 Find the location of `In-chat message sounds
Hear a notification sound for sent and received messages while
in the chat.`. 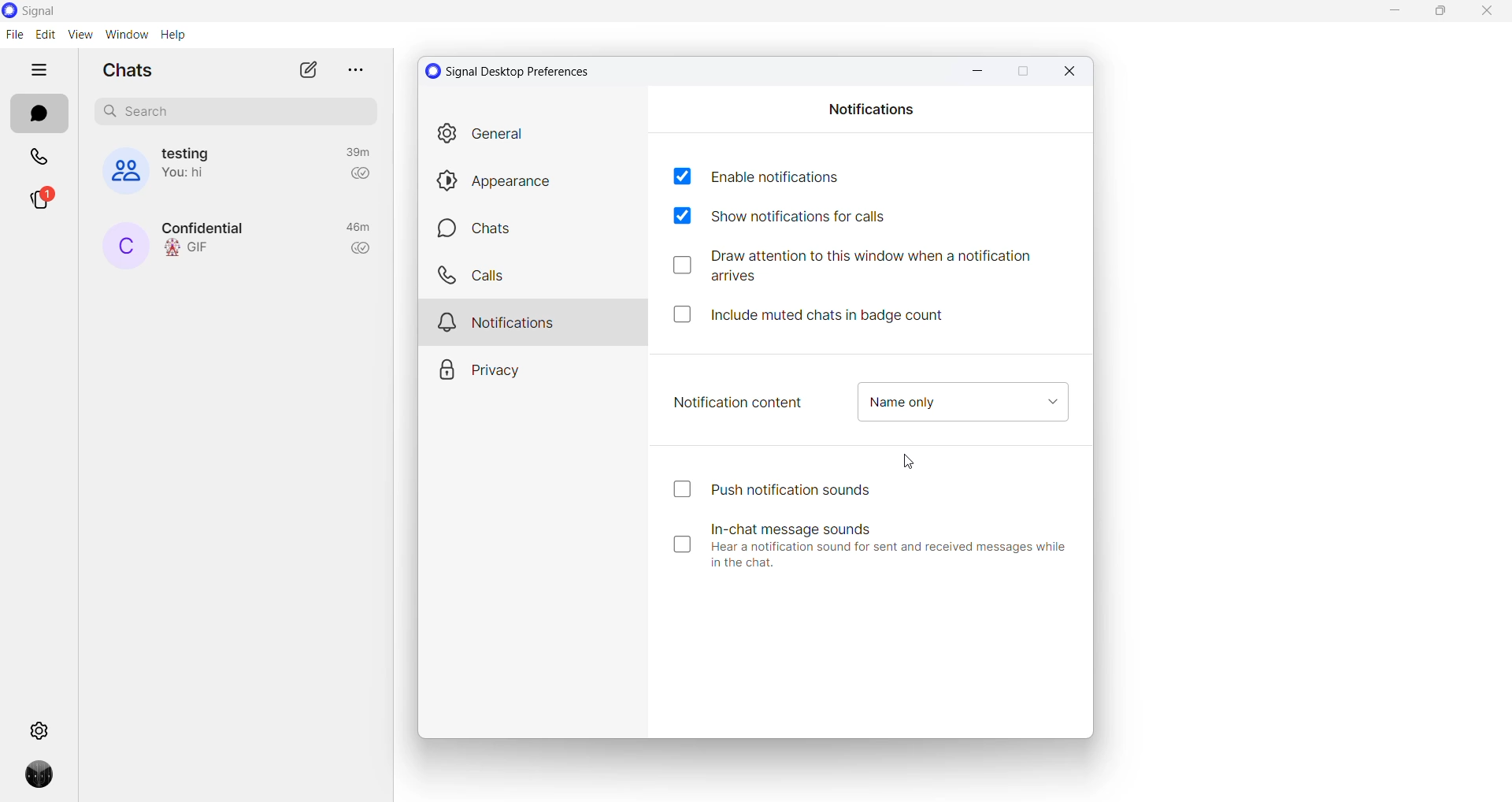

In-chat message sounds
Hear a notification sound for sent and received messages while
in the chat. is located at coordinates (873, 544).